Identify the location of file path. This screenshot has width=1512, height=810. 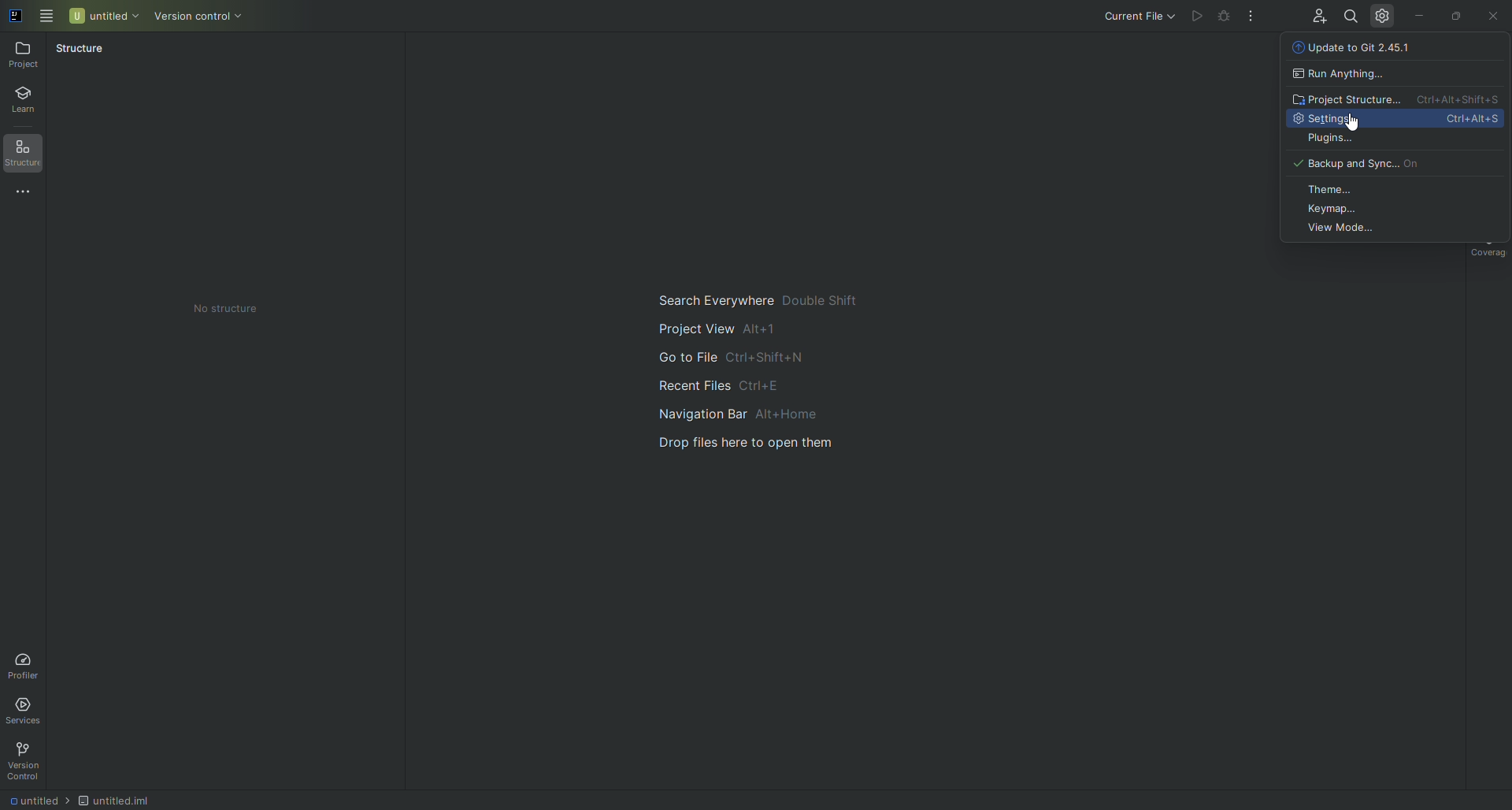
(80, 801).